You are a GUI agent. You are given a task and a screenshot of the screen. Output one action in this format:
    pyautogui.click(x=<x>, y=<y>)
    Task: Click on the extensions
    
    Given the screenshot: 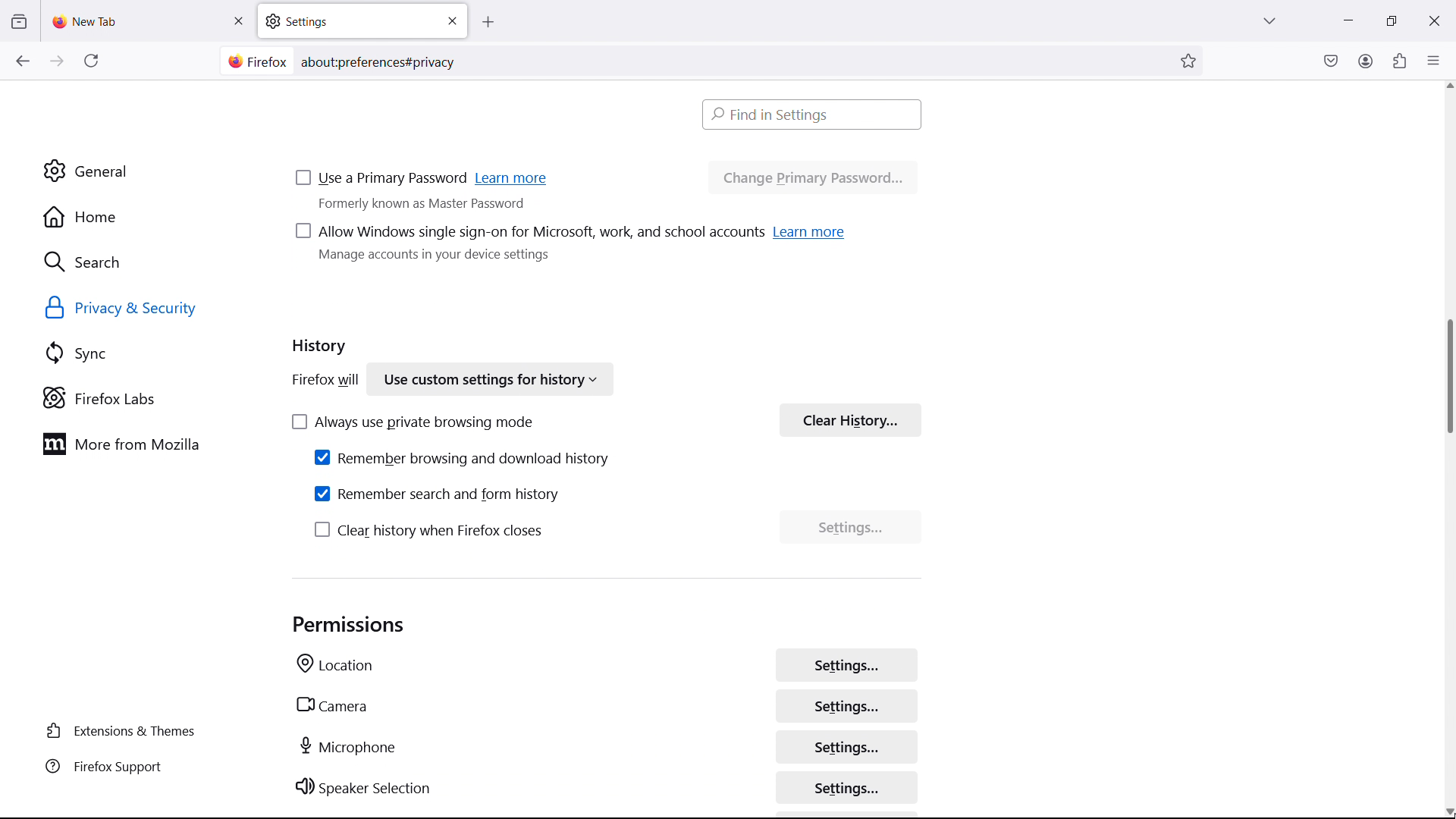 What is the action you would take?
    pyautogui.click(x=1398, y=61)
    